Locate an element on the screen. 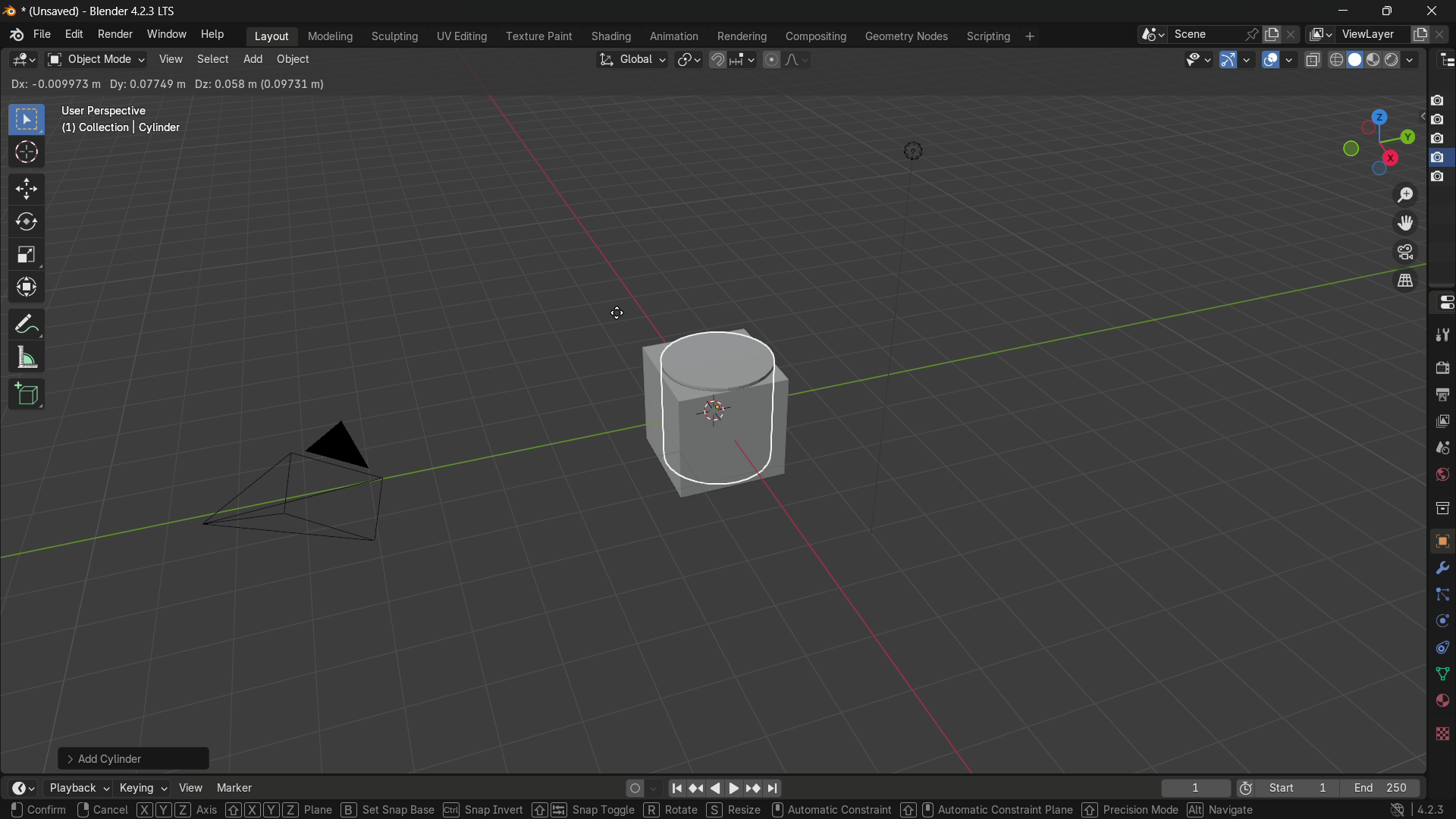 This screenshot has width=1456, height=819. cursor is located at coordinates (27, 153).